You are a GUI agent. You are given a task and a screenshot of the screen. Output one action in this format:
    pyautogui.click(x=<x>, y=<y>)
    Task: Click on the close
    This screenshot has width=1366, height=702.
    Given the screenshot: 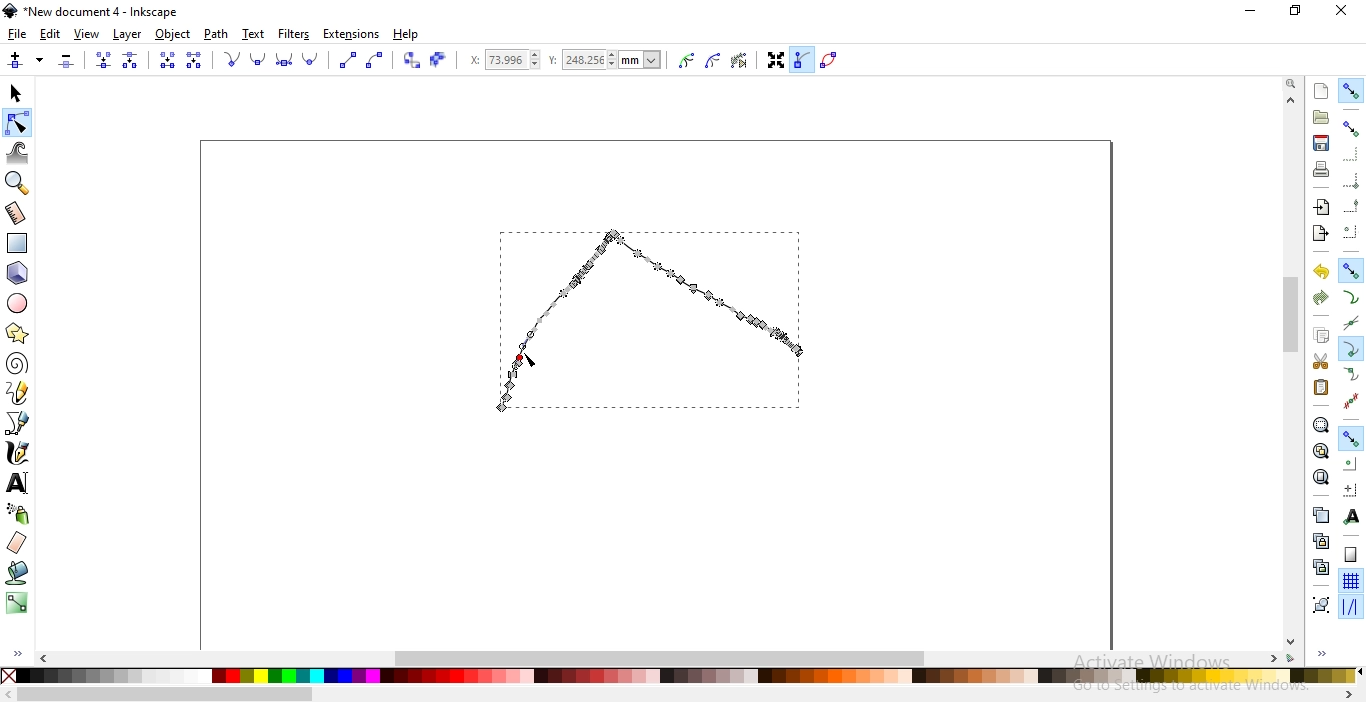 What is the action you would take?
    pyautogui.click(x=1340, y=11)
    